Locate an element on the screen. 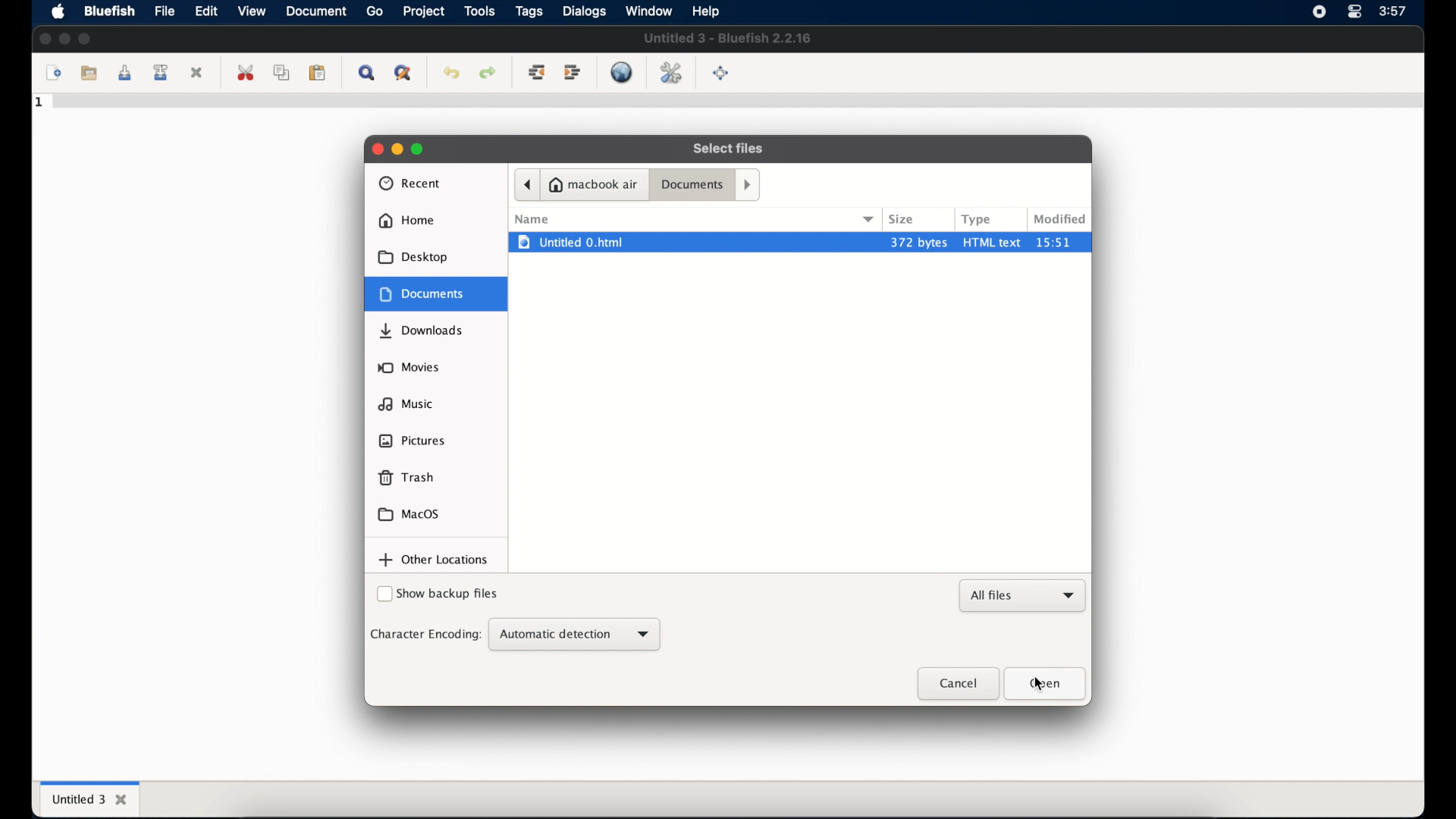  minimize is located at coordinates (397, 149).